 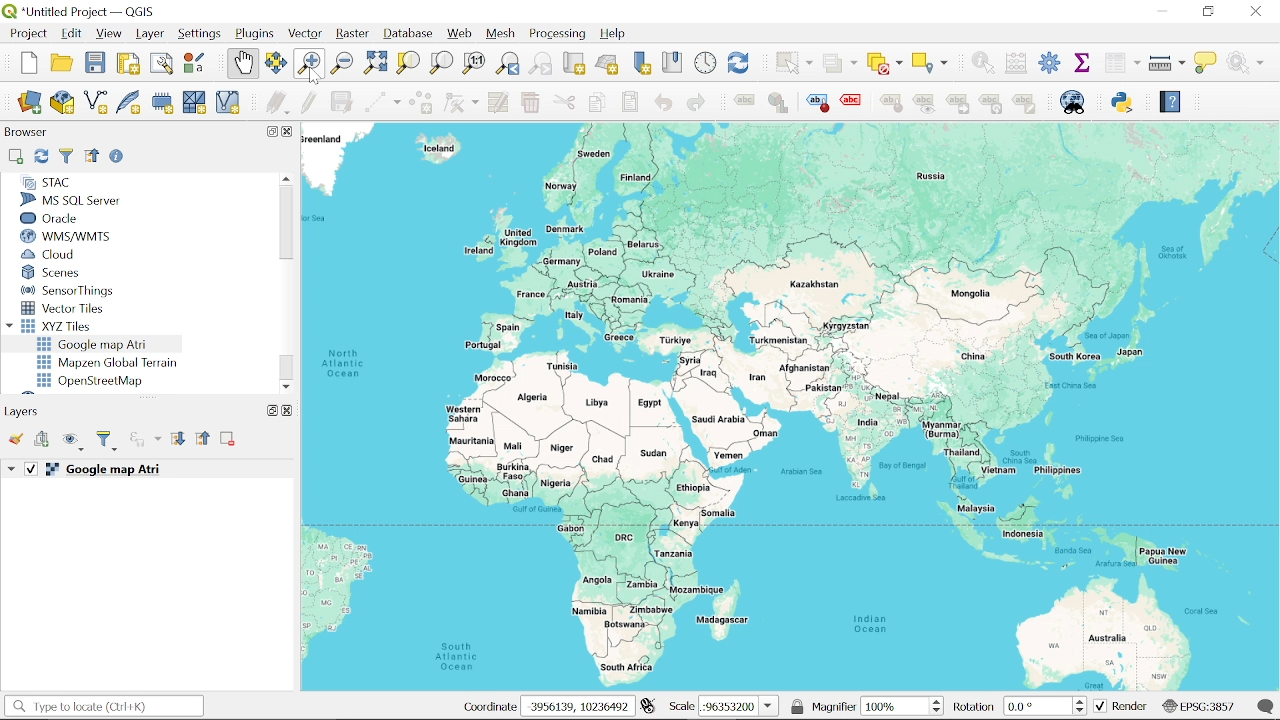 I want to click on Current window, so click(x=86, y=12).